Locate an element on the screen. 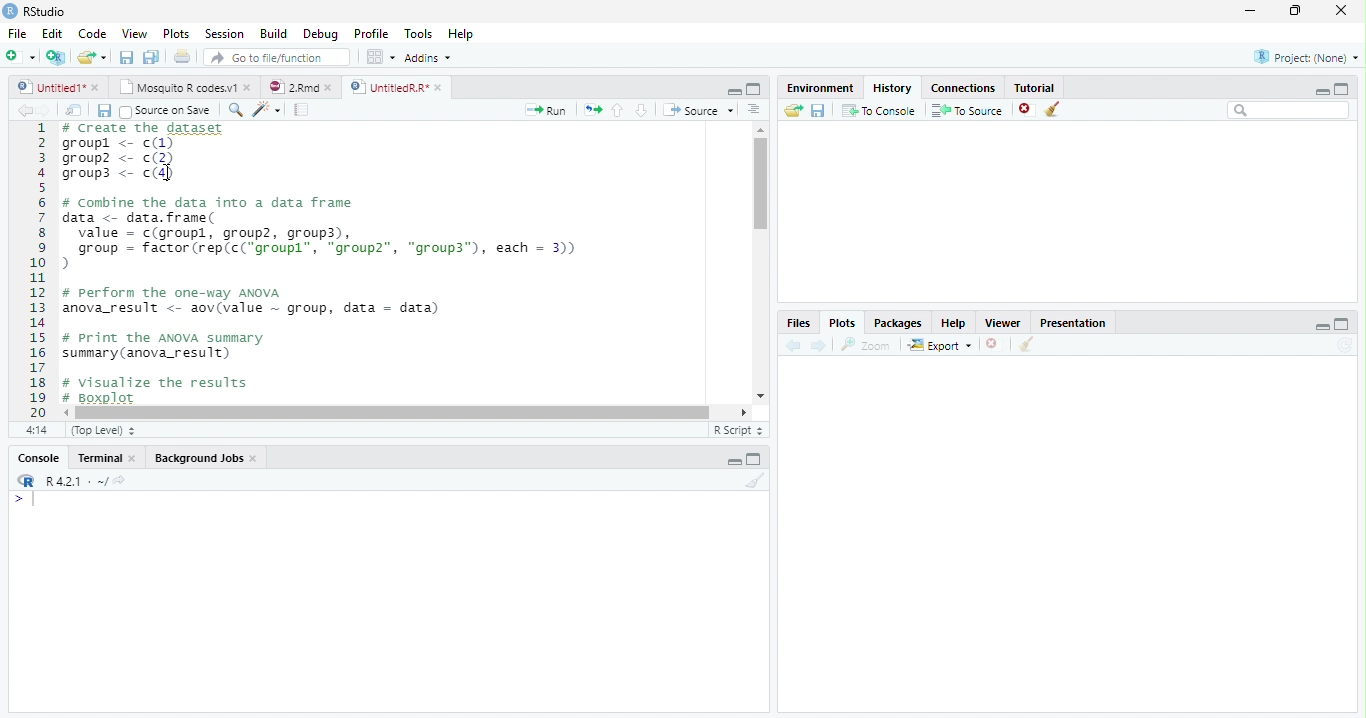  back is located at coordinates (797, 343).